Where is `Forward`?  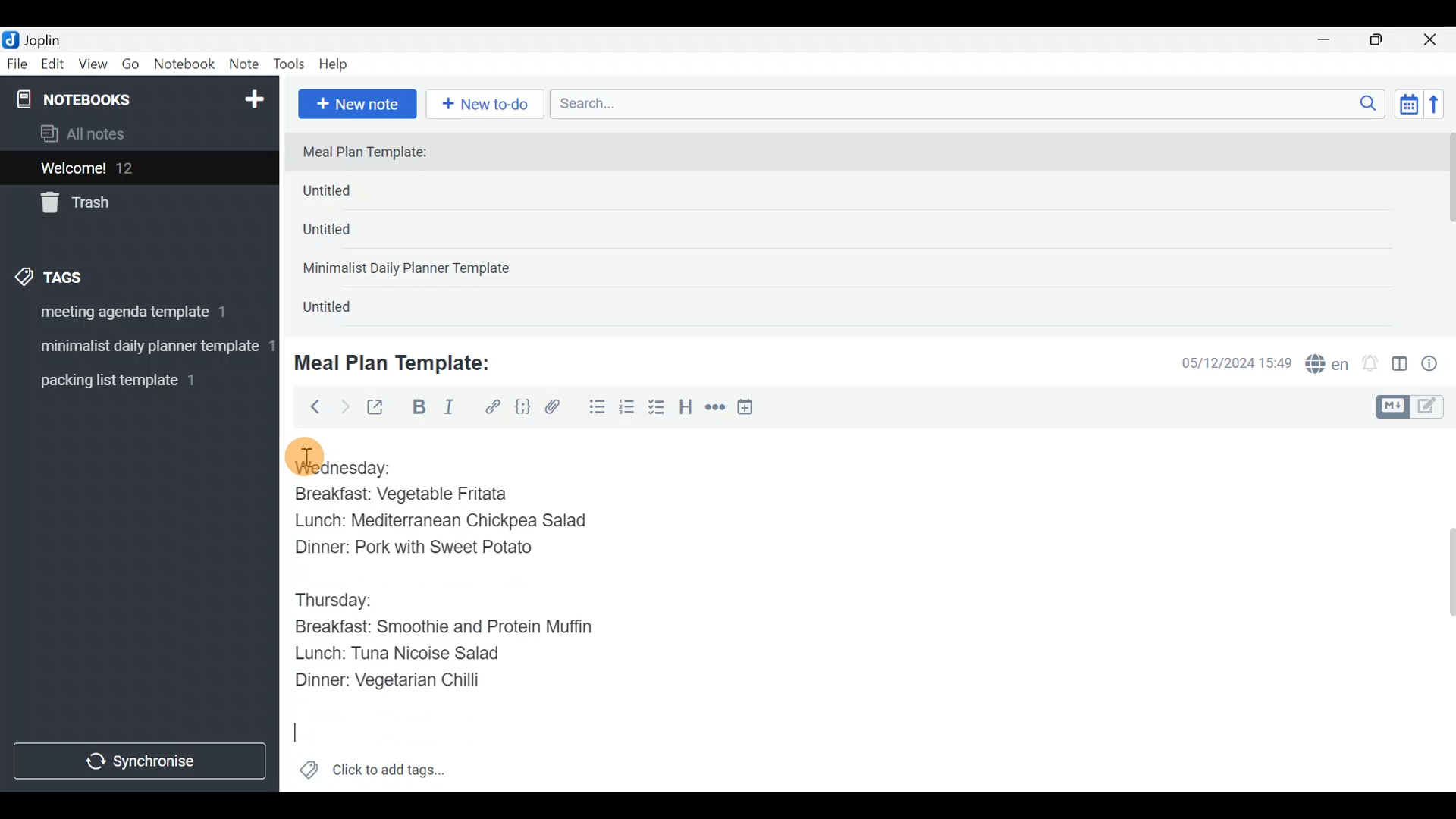
Forward is located at coordinates (344, 406).